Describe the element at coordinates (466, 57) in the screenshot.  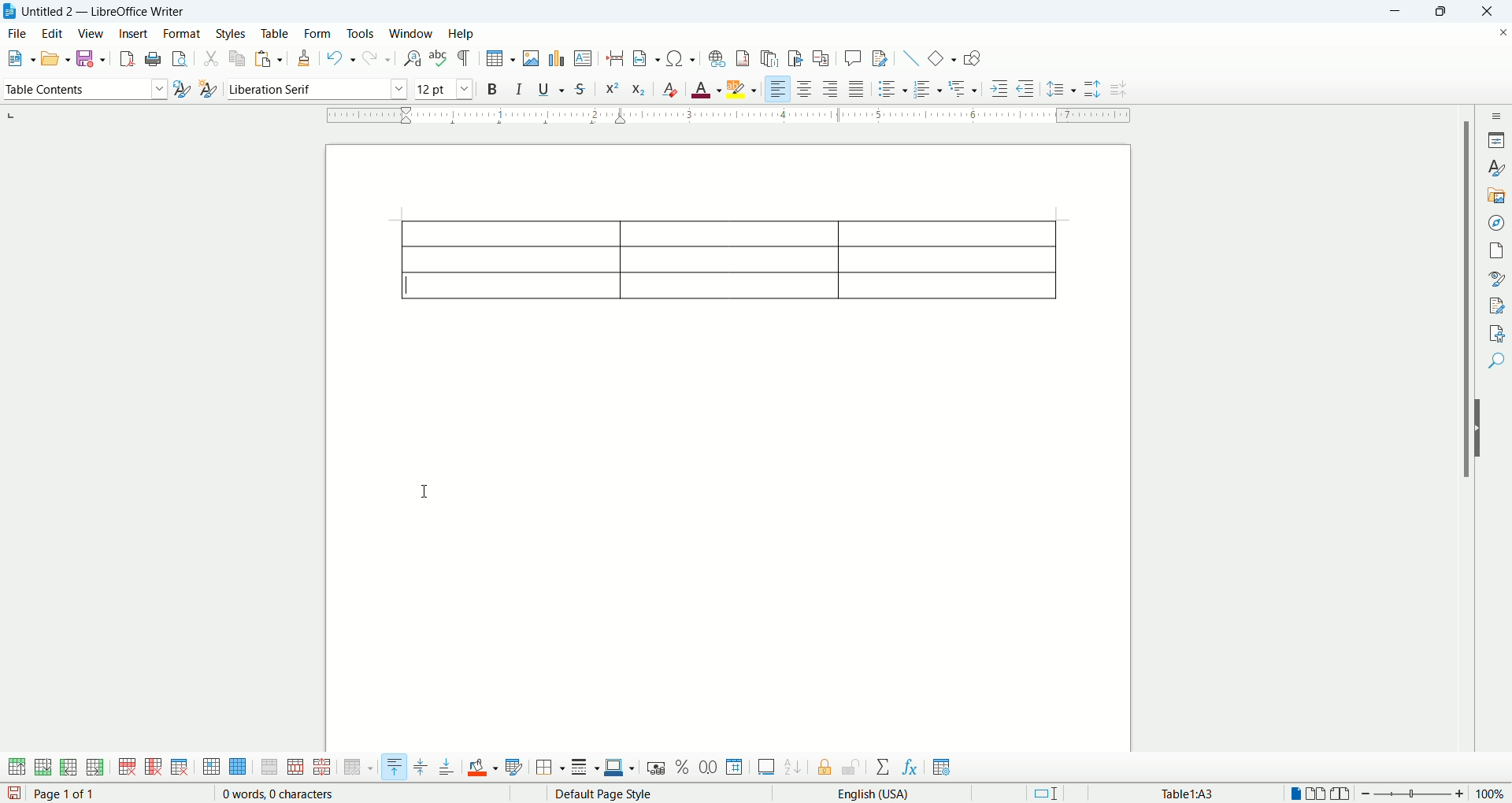
I see `formatting mark` at that location.